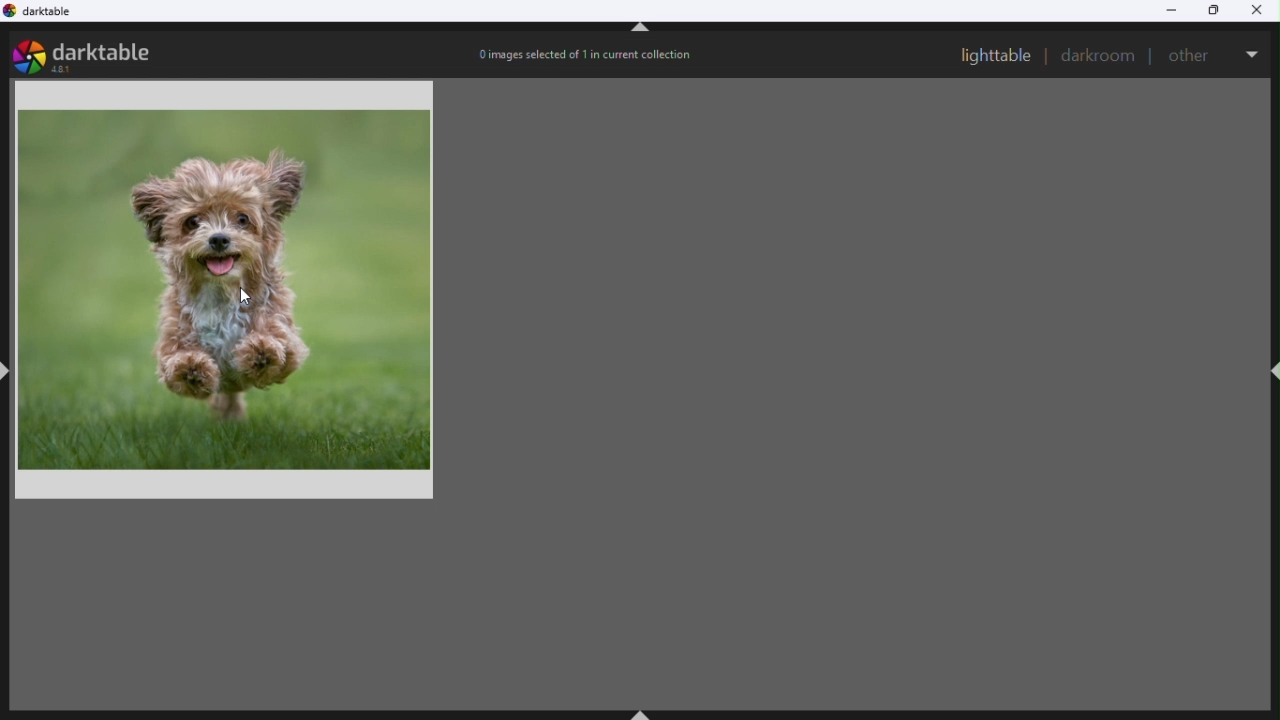 This screenshot has height=720, width=1280. Describe the element at coordinates (231, 287) in the screenshot. I see `Image` at that location.